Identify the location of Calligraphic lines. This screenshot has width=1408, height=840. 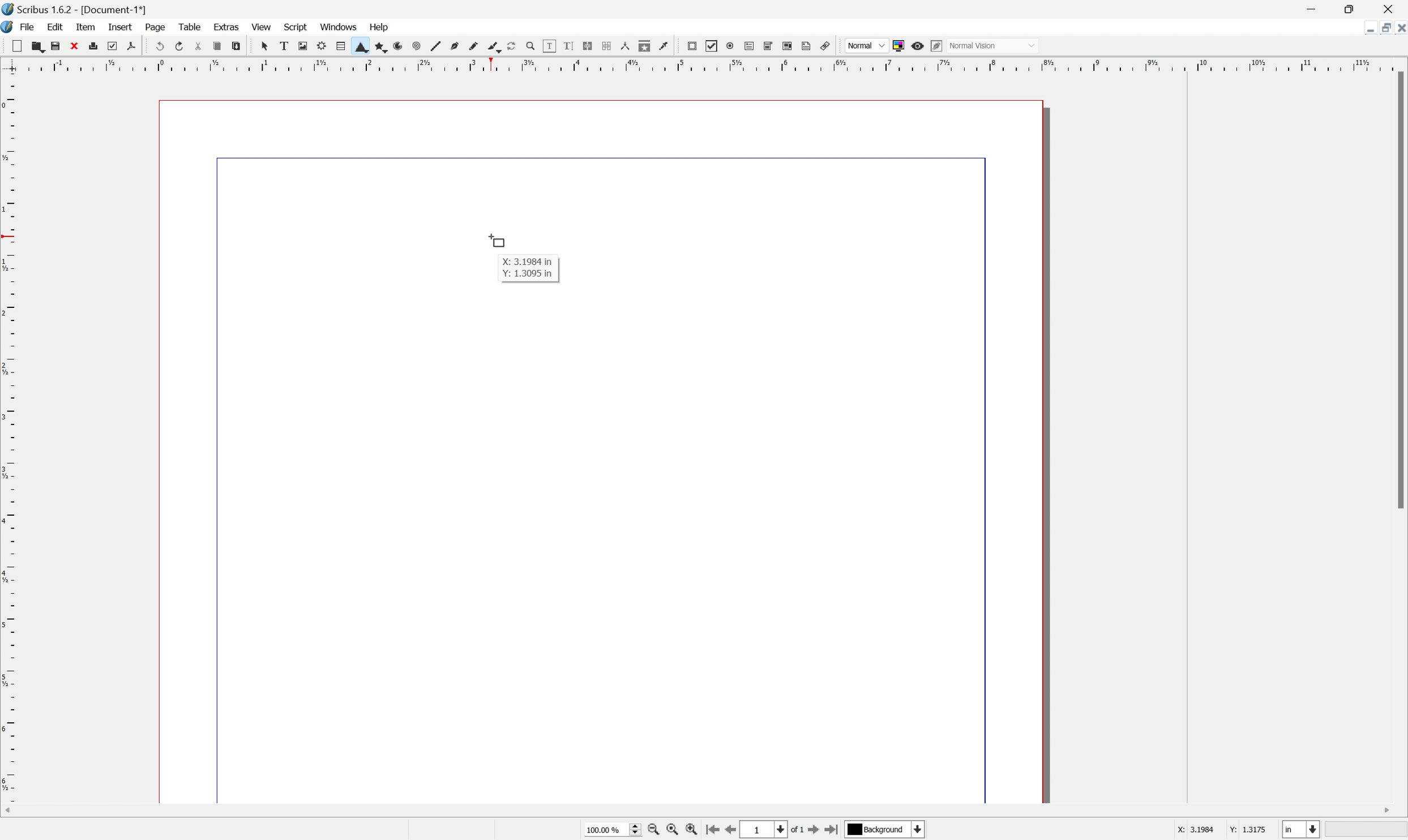
(495, 48).